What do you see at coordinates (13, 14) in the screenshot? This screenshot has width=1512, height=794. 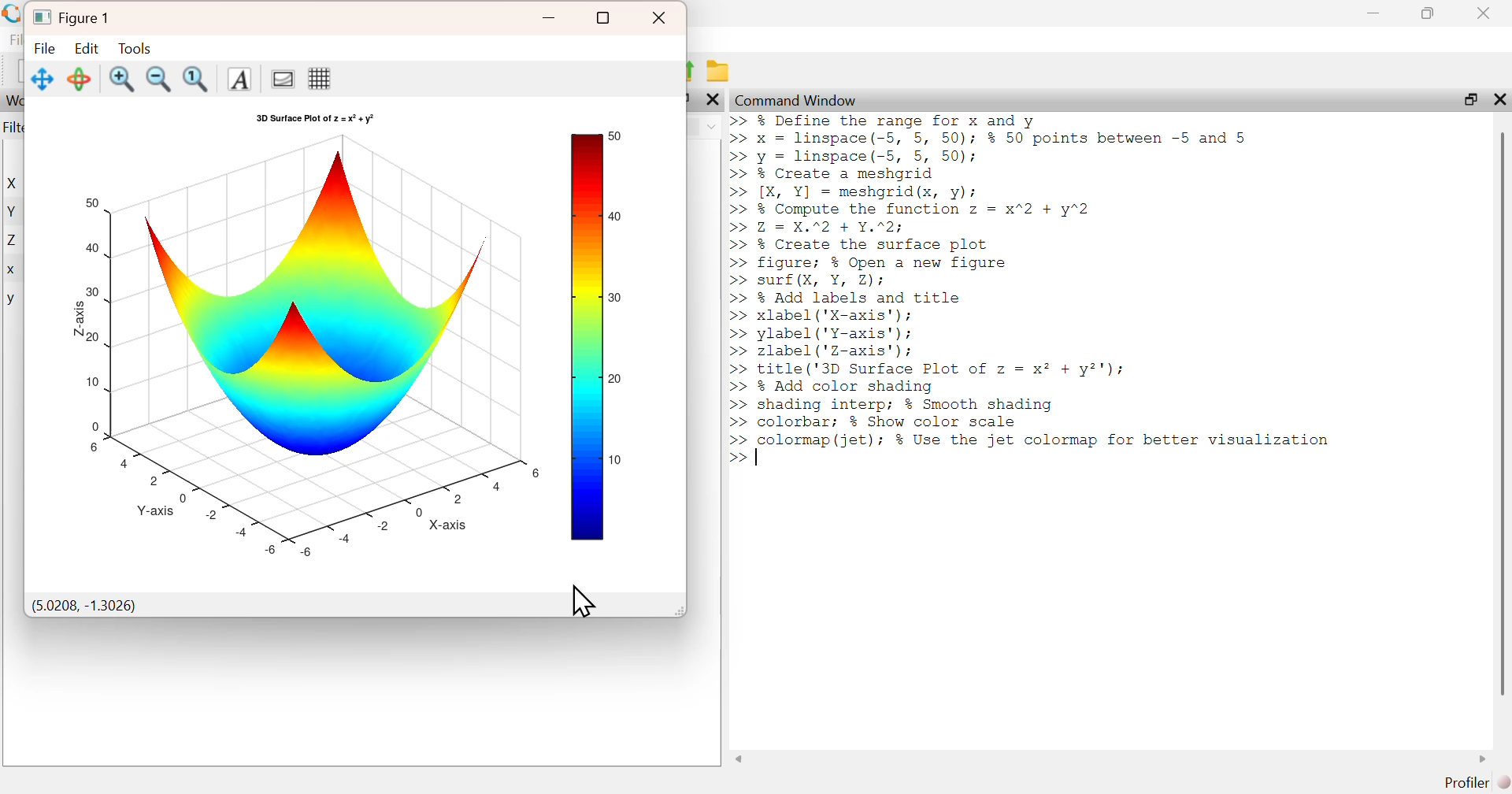 I see `Logo` at bounding box center [13, 14].